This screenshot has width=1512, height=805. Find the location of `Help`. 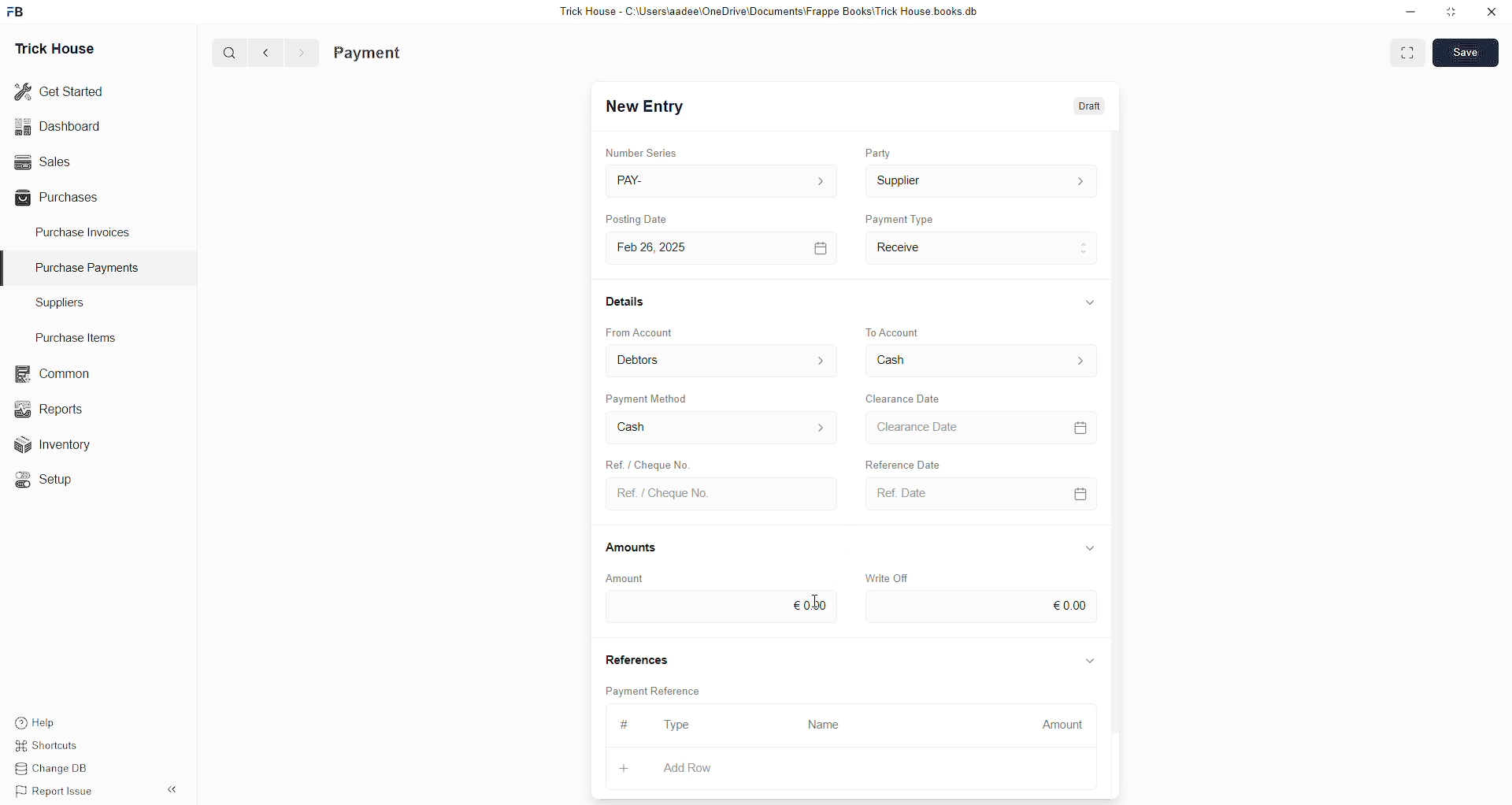

Help is located at coordinates (35, 723).